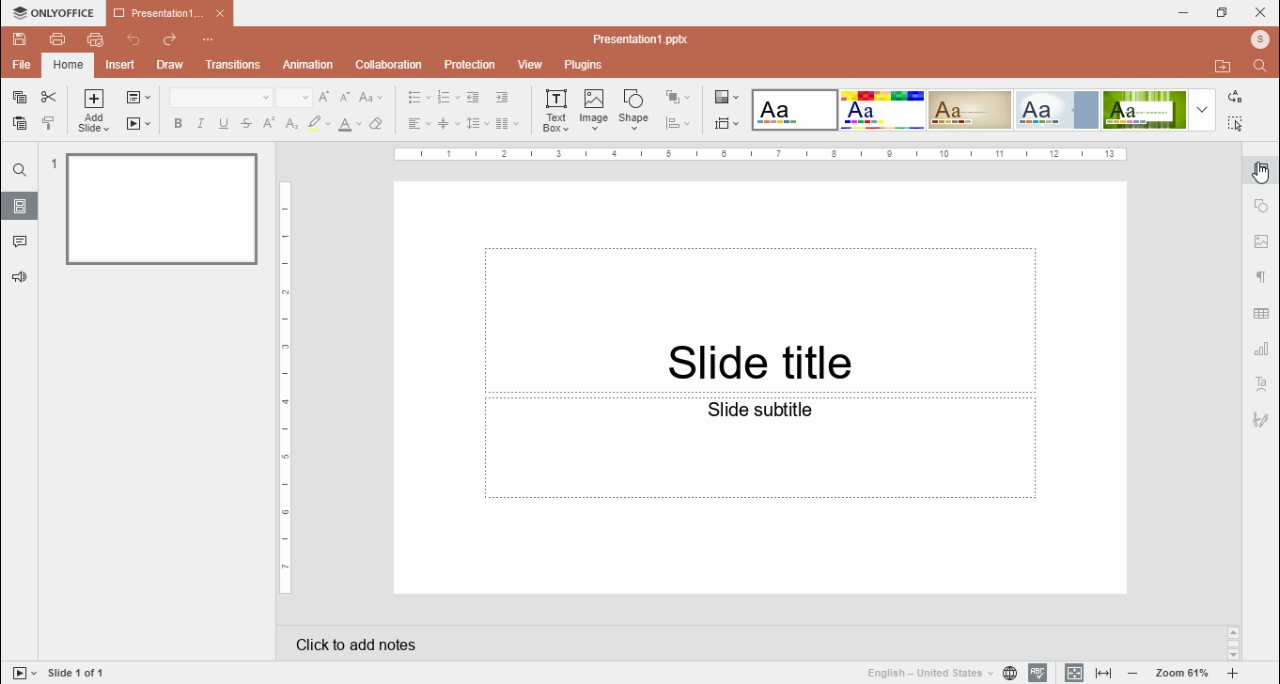 This screenshot has width=1280, height=684. What do you see at coordinates (1236, 124) in the screenshot?
I see `select all` at bounding box center [1236, 124].